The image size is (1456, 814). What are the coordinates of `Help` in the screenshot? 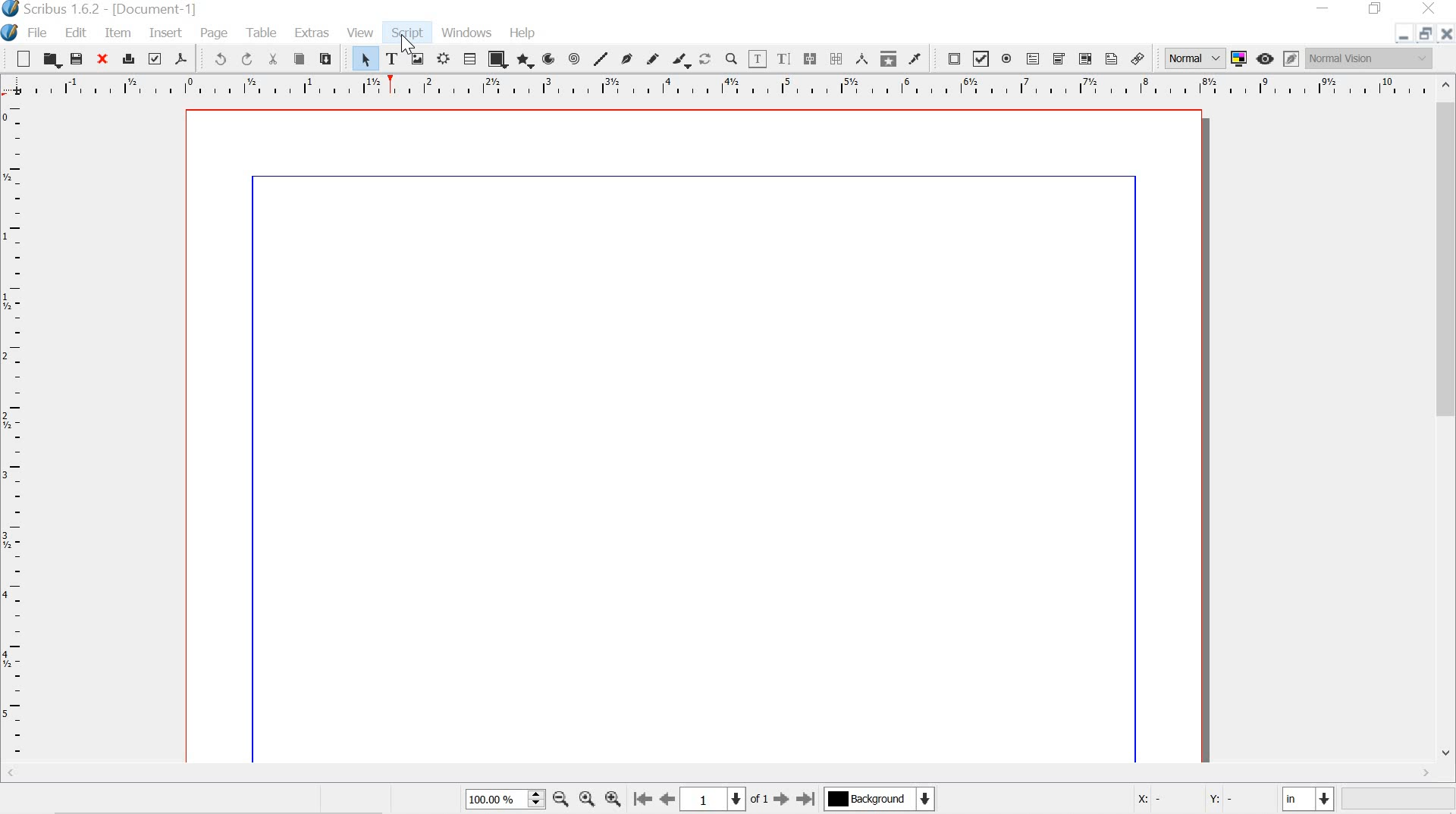 It's located at (524, 33).